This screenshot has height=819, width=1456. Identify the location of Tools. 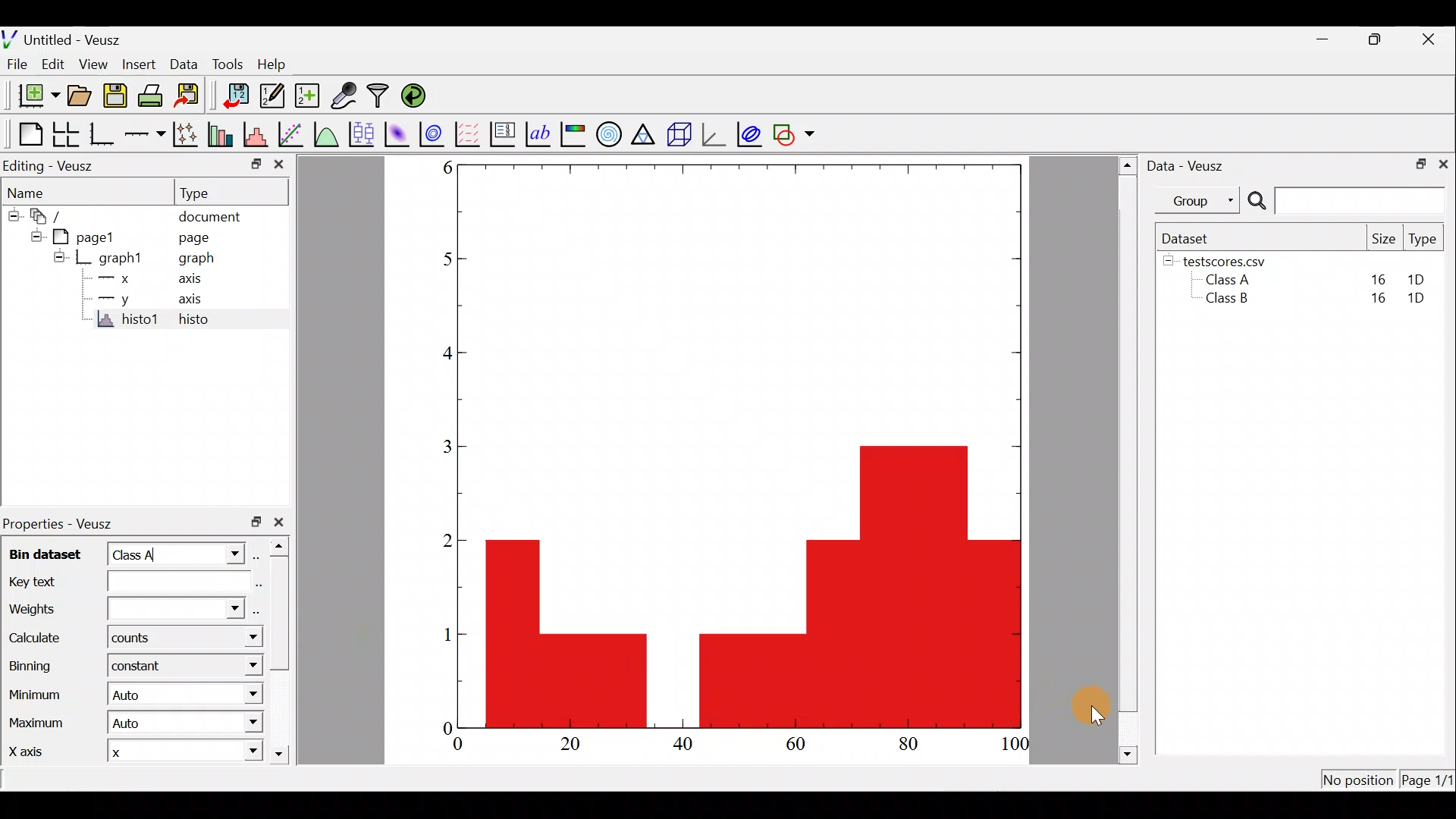
(226, 65).